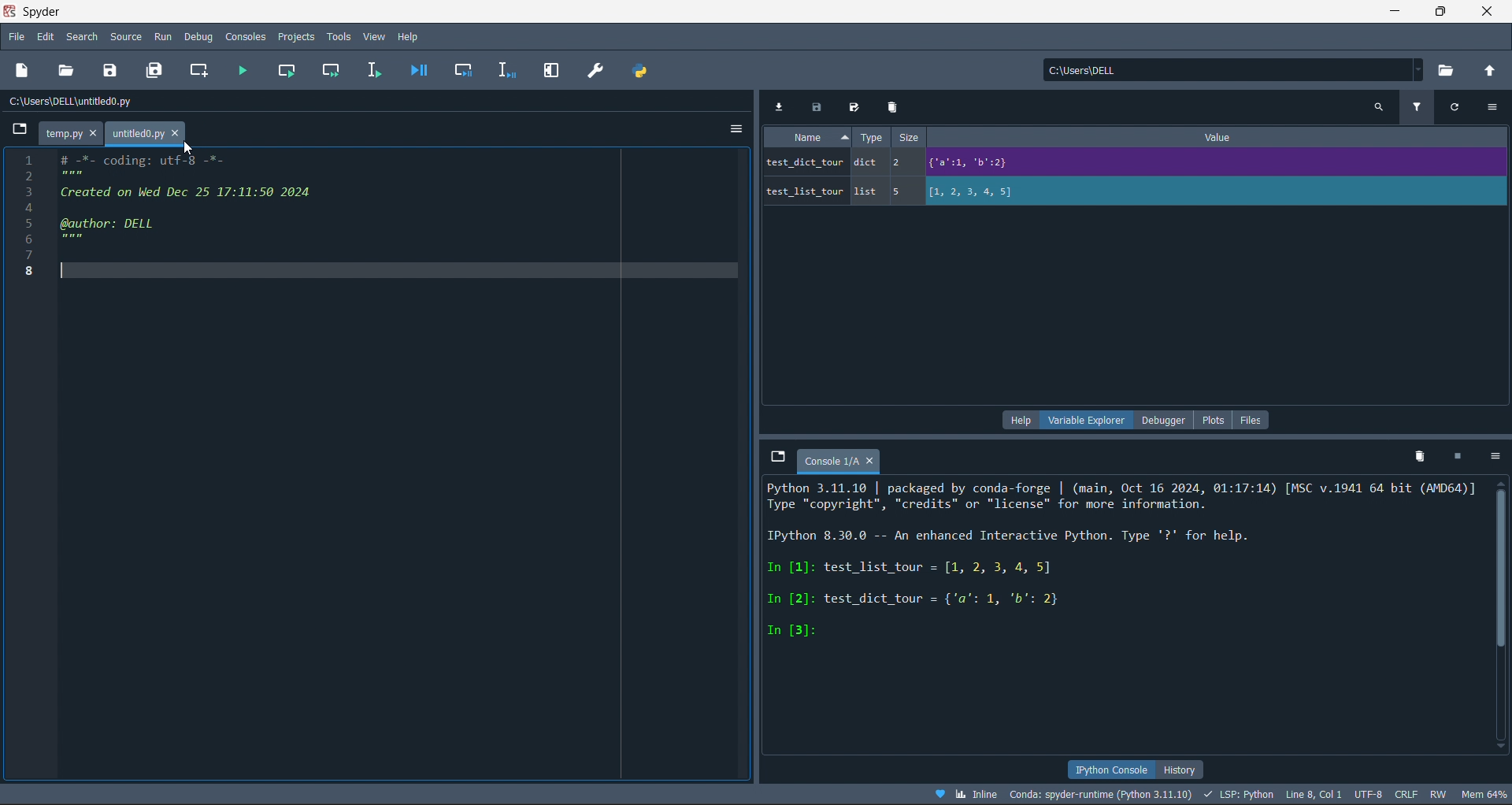 Image resolution: width=1512 pixels, height=805 pixels. Describe the element at coordinates (1377, 106) in the screenshot. I see `search` at that location.